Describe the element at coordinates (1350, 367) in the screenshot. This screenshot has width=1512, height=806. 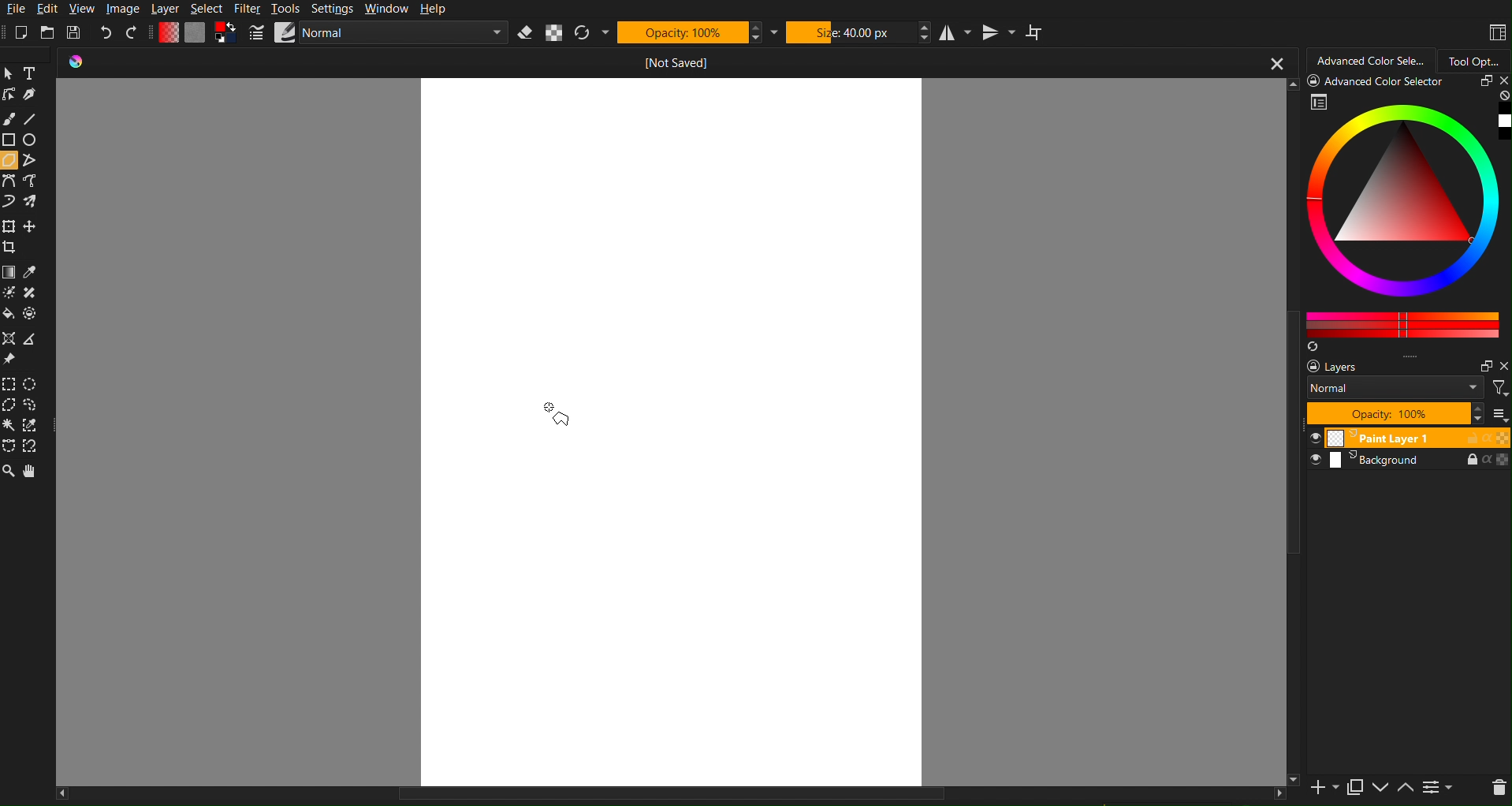
I see `layers` at that location.